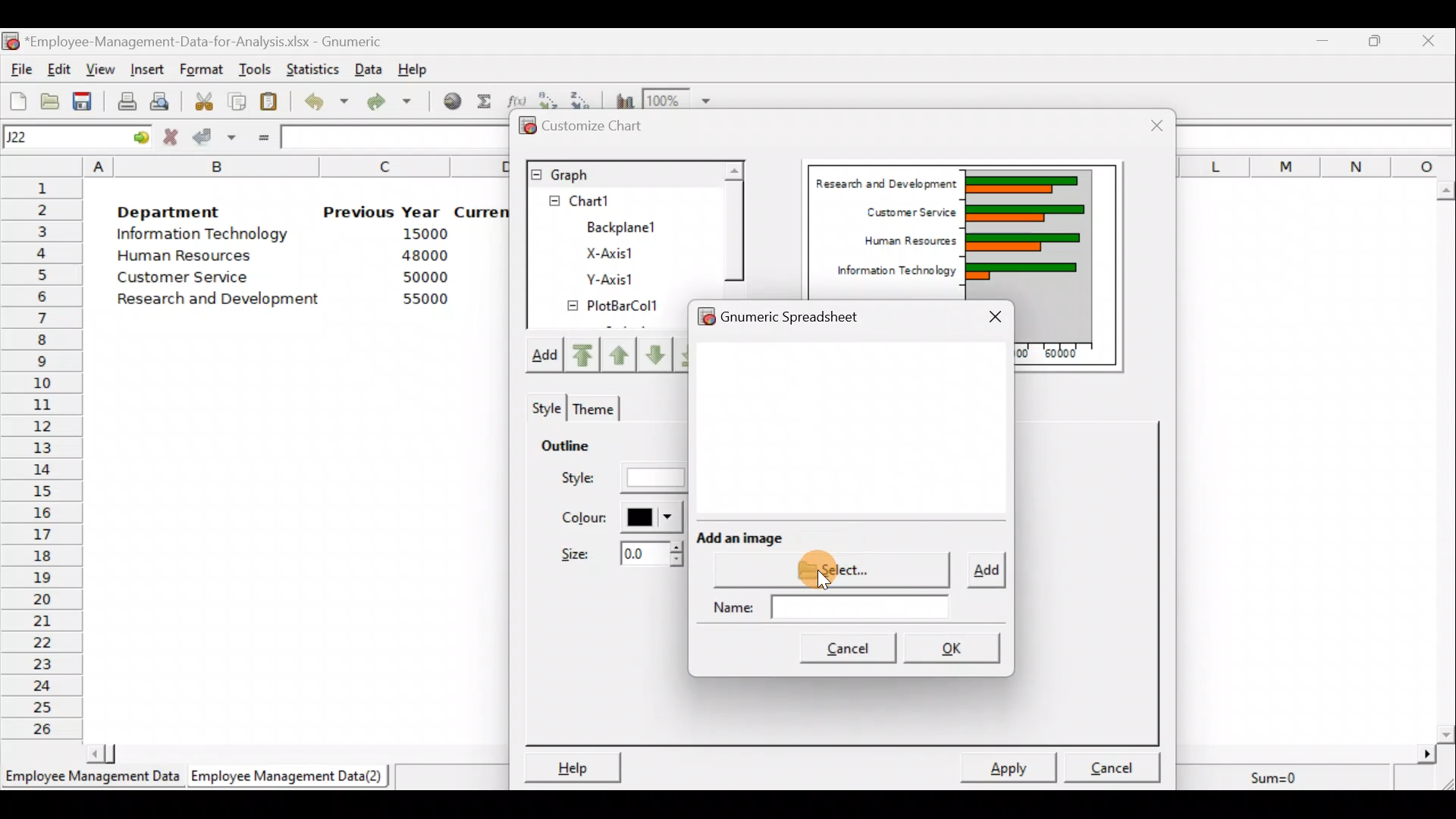 This screenshot has height=819, width=1456. I want to click on Add, so click(984, 572).